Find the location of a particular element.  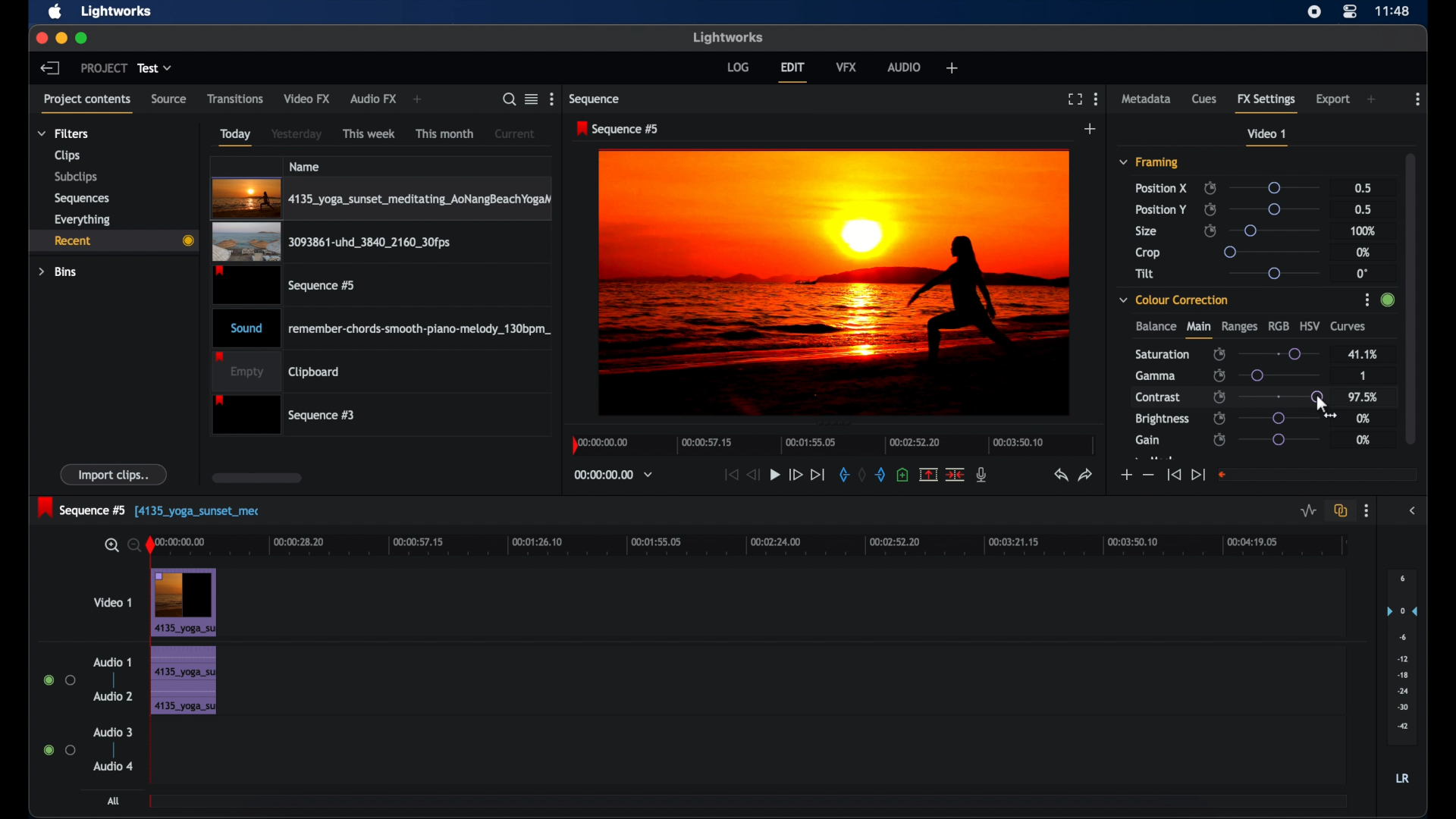

add is located at coordinates (1373, 99).